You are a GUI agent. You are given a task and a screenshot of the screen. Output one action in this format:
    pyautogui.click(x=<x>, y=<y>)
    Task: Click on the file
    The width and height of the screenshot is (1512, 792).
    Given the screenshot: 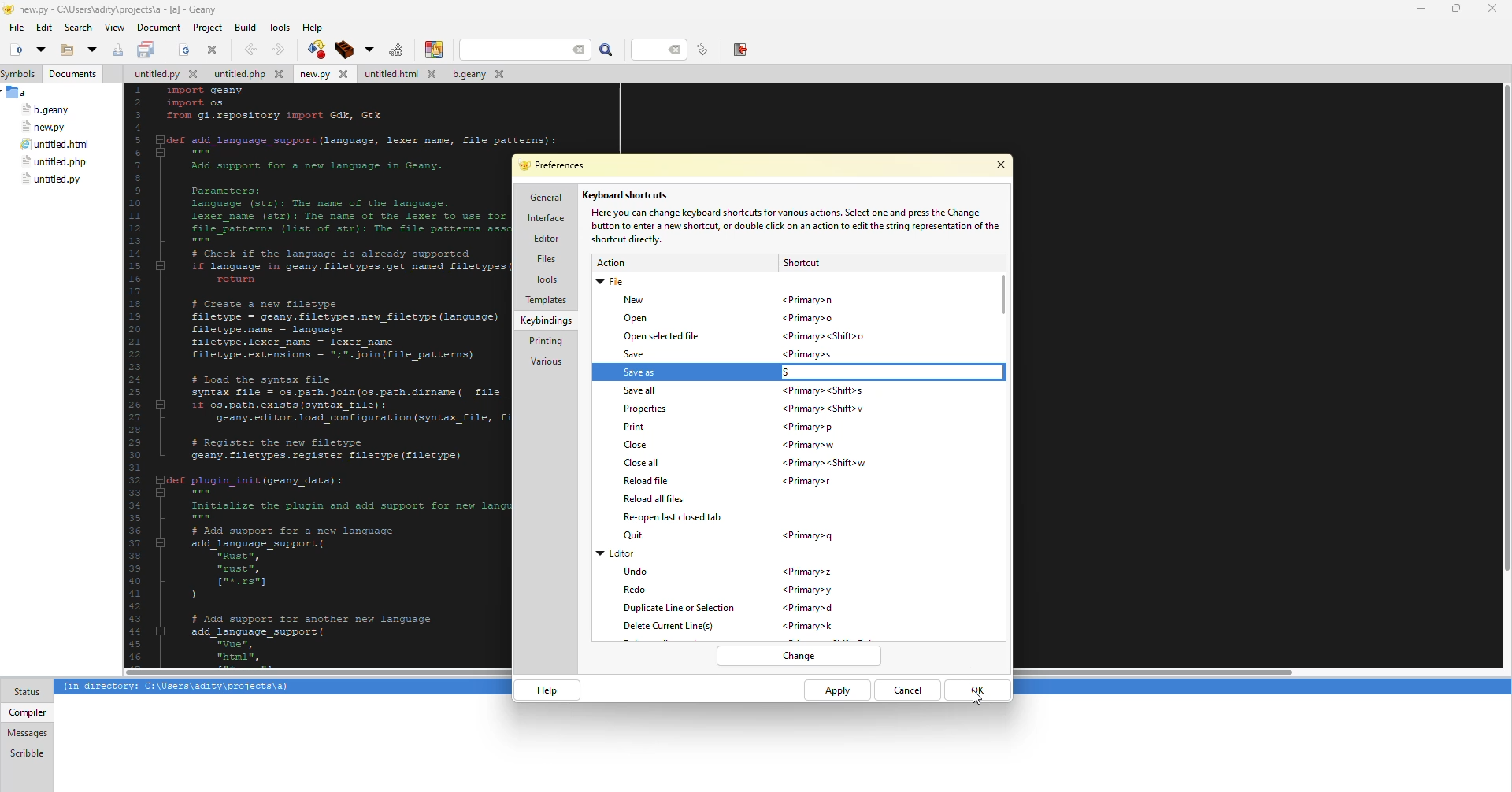 What is the action you would take?
    pyautogui.click(x=323, y=75)
    